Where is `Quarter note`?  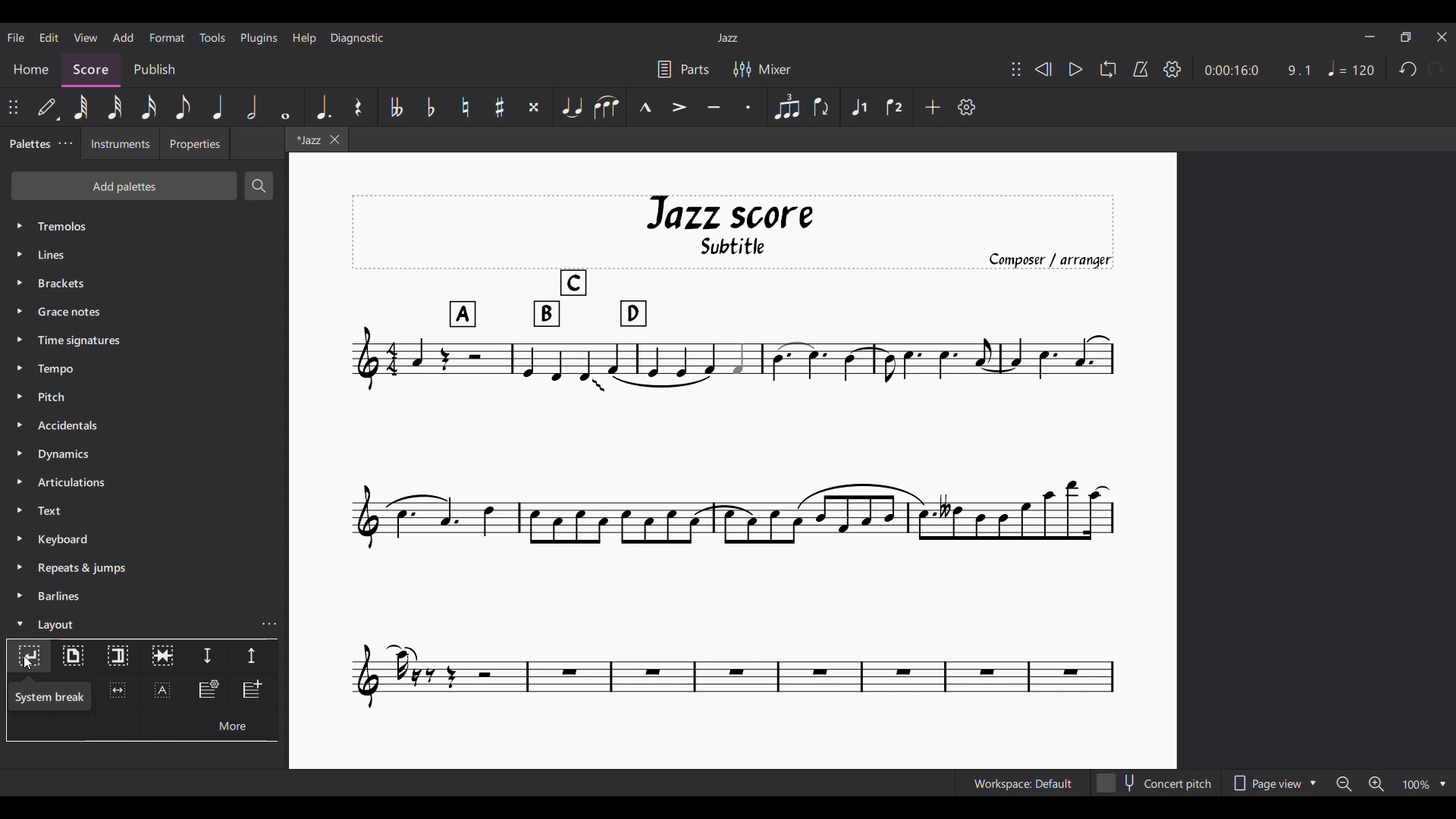
Quarter note is located at coordinates (218, 107).